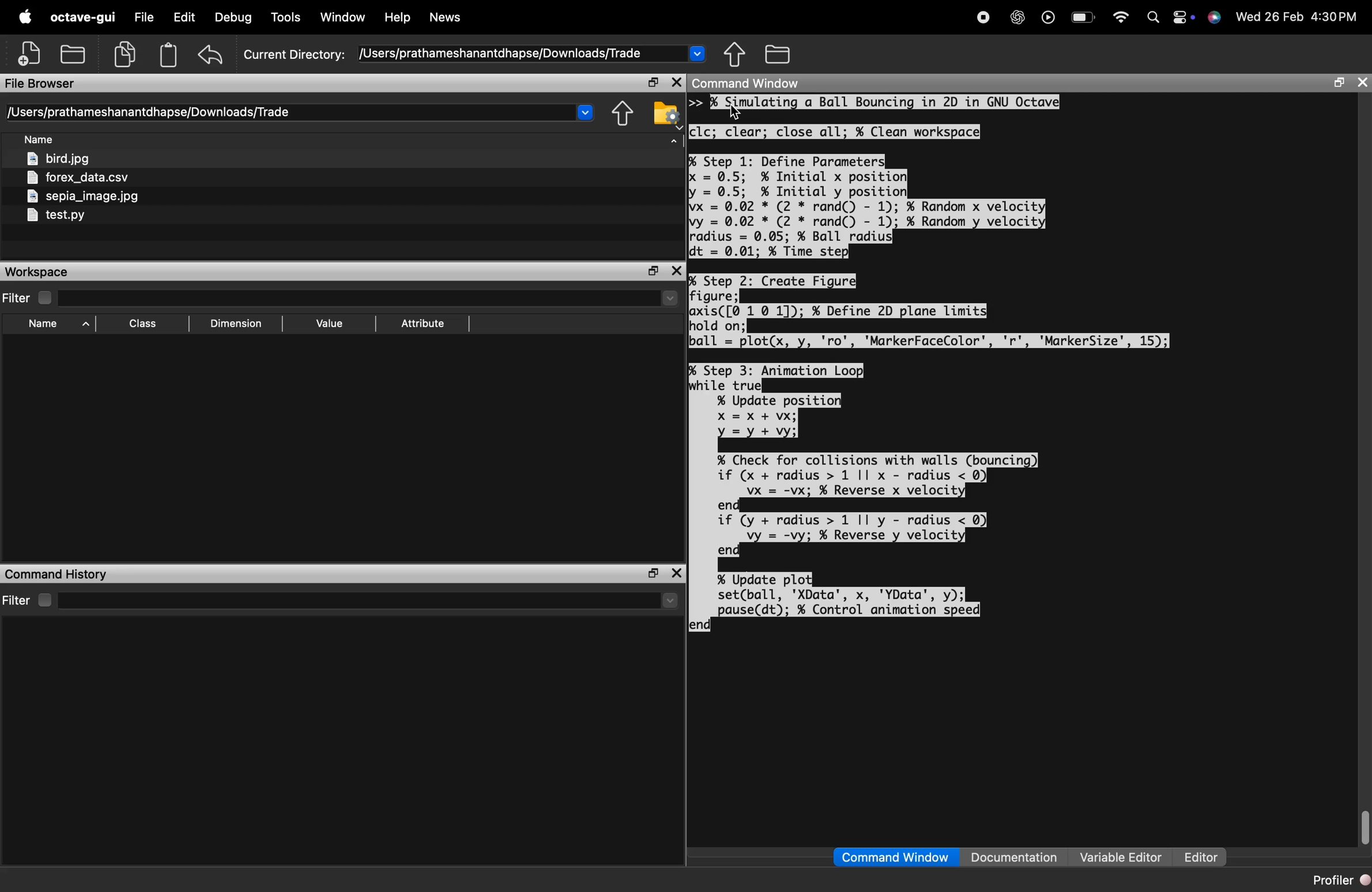 This screenshot has height=892, width=1372. I want to click on  testpy, so click(55, 215).